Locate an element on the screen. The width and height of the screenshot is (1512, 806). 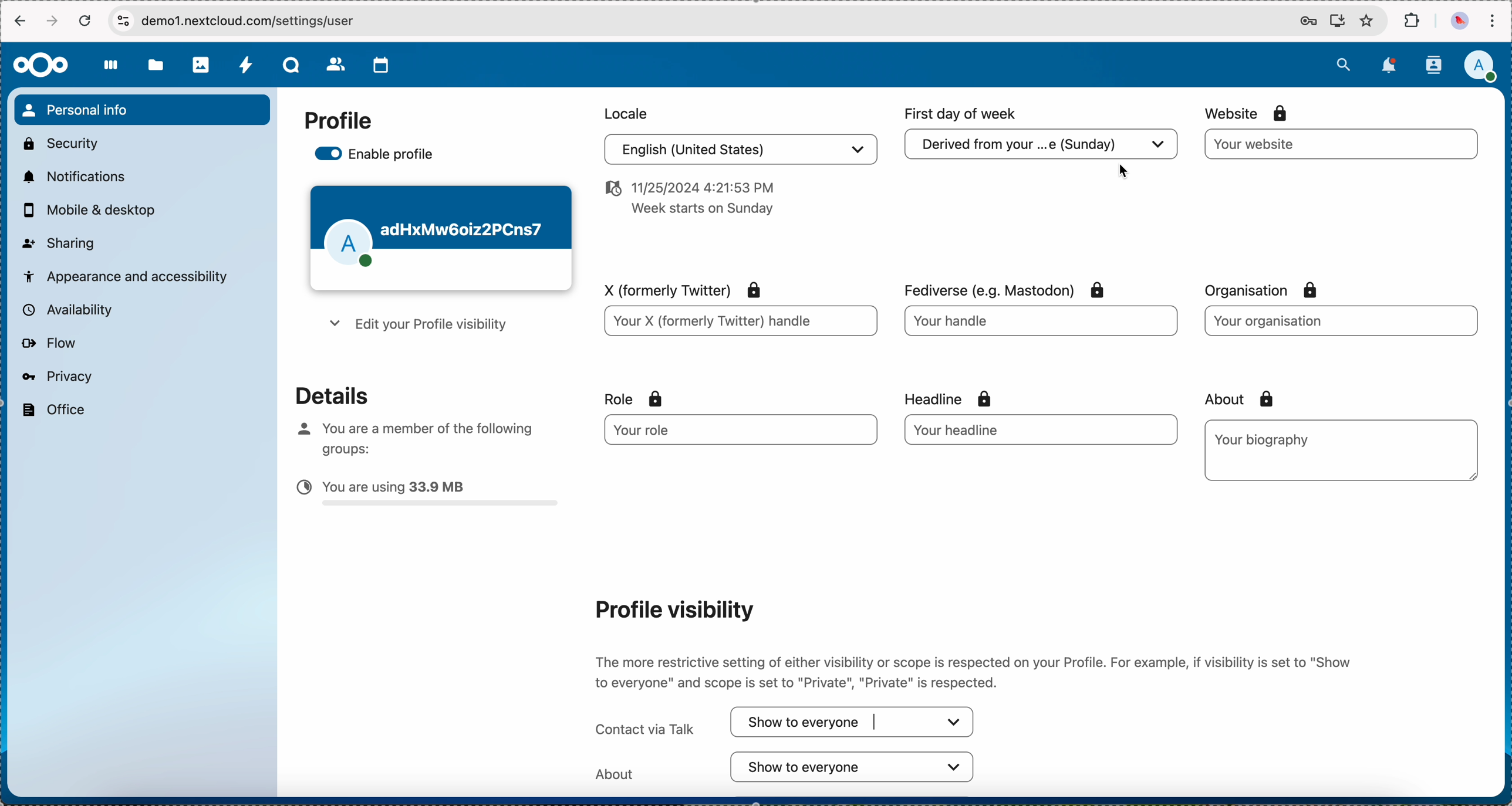
flow is located at coordinates (48, 344).